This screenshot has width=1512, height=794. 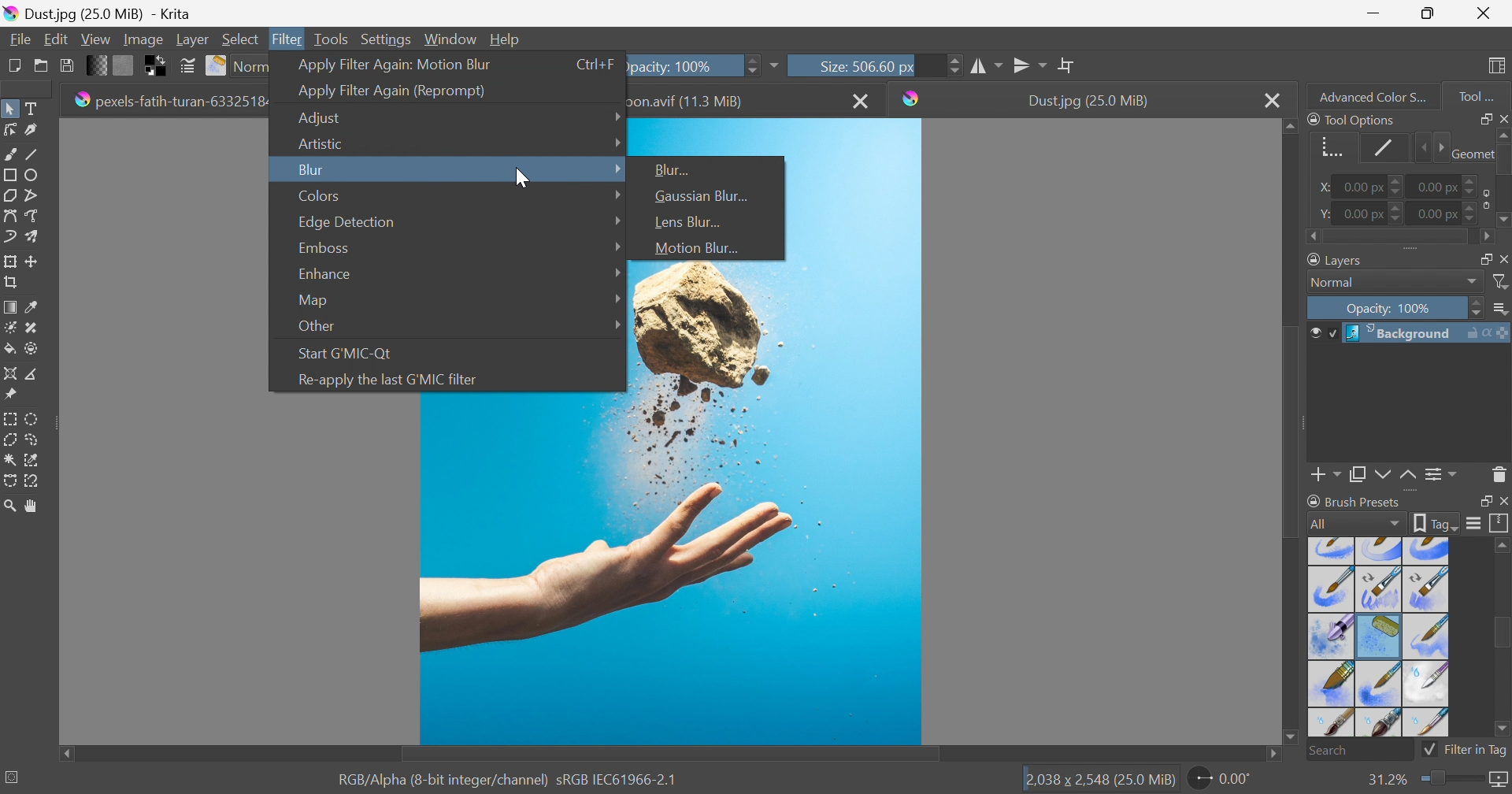 I want to click on Choose brush preset, so click(x=217, y=66).